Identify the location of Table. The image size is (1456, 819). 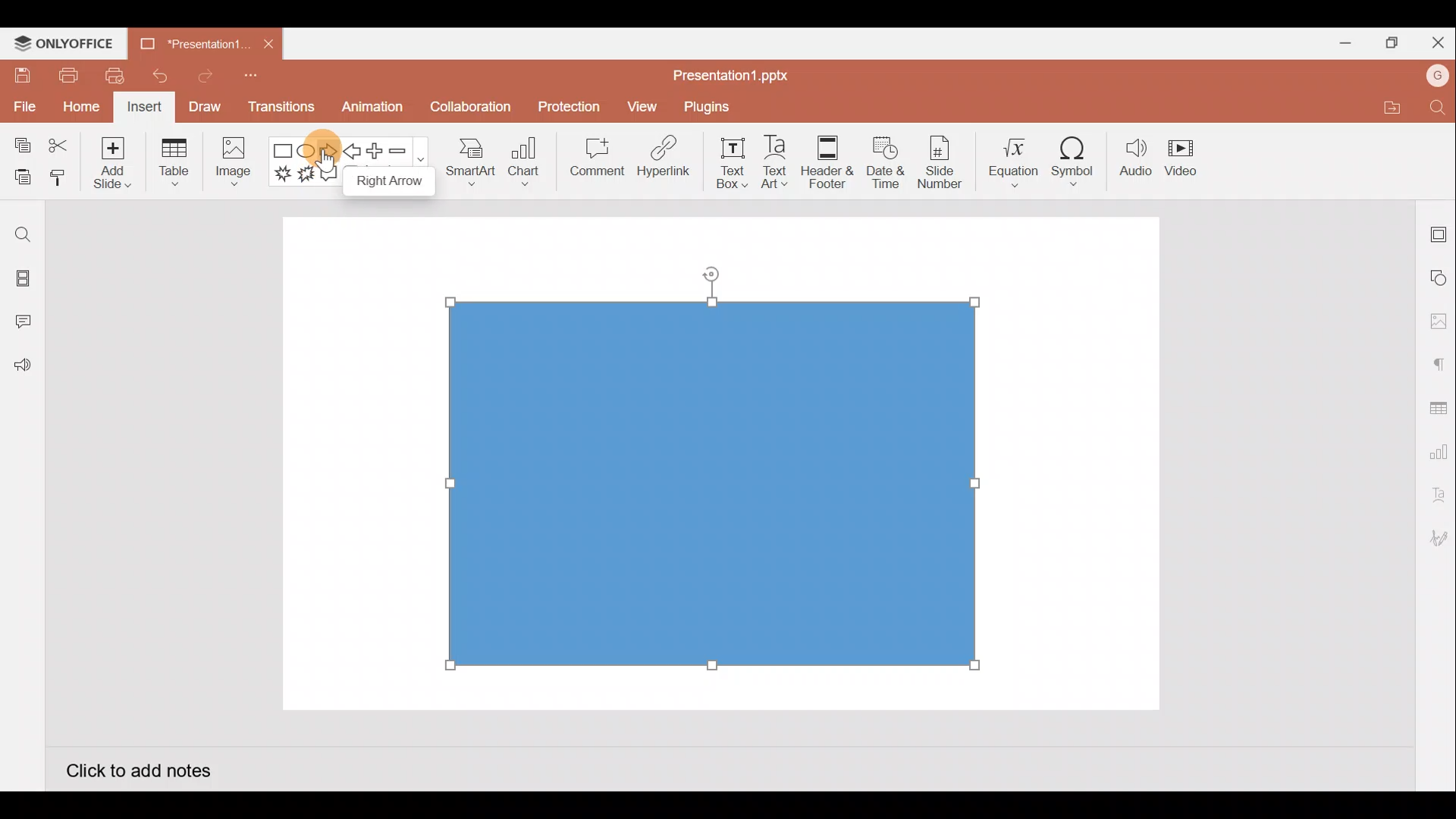
(176, 164).